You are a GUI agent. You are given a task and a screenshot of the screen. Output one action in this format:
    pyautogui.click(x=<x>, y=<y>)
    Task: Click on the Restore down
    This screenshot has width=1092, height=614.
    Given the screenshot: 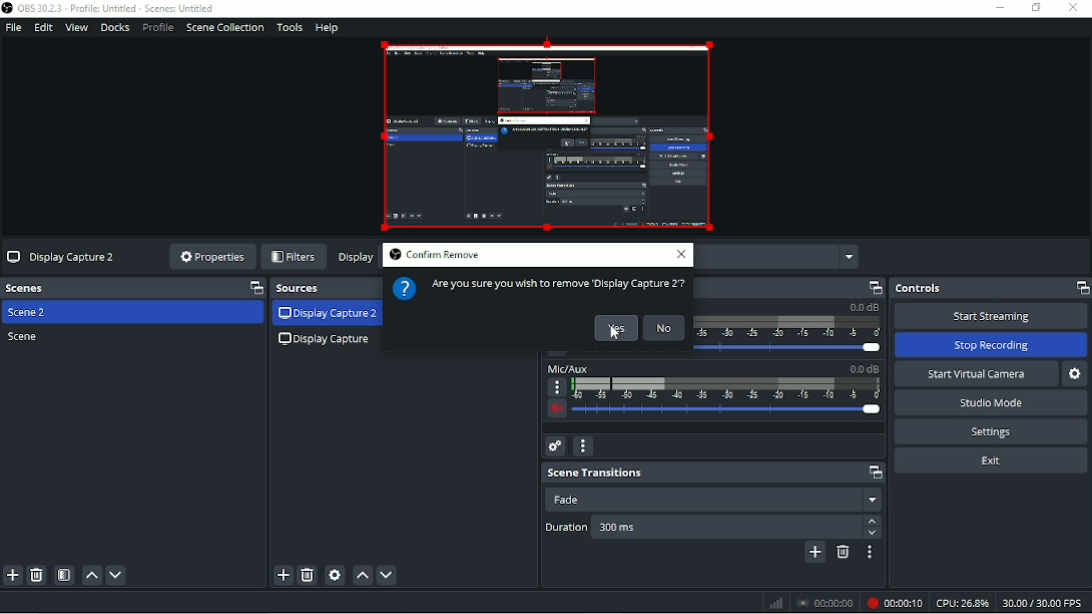 What is the action you would take?
    pyautogui.click(x=1035, y=8)
    